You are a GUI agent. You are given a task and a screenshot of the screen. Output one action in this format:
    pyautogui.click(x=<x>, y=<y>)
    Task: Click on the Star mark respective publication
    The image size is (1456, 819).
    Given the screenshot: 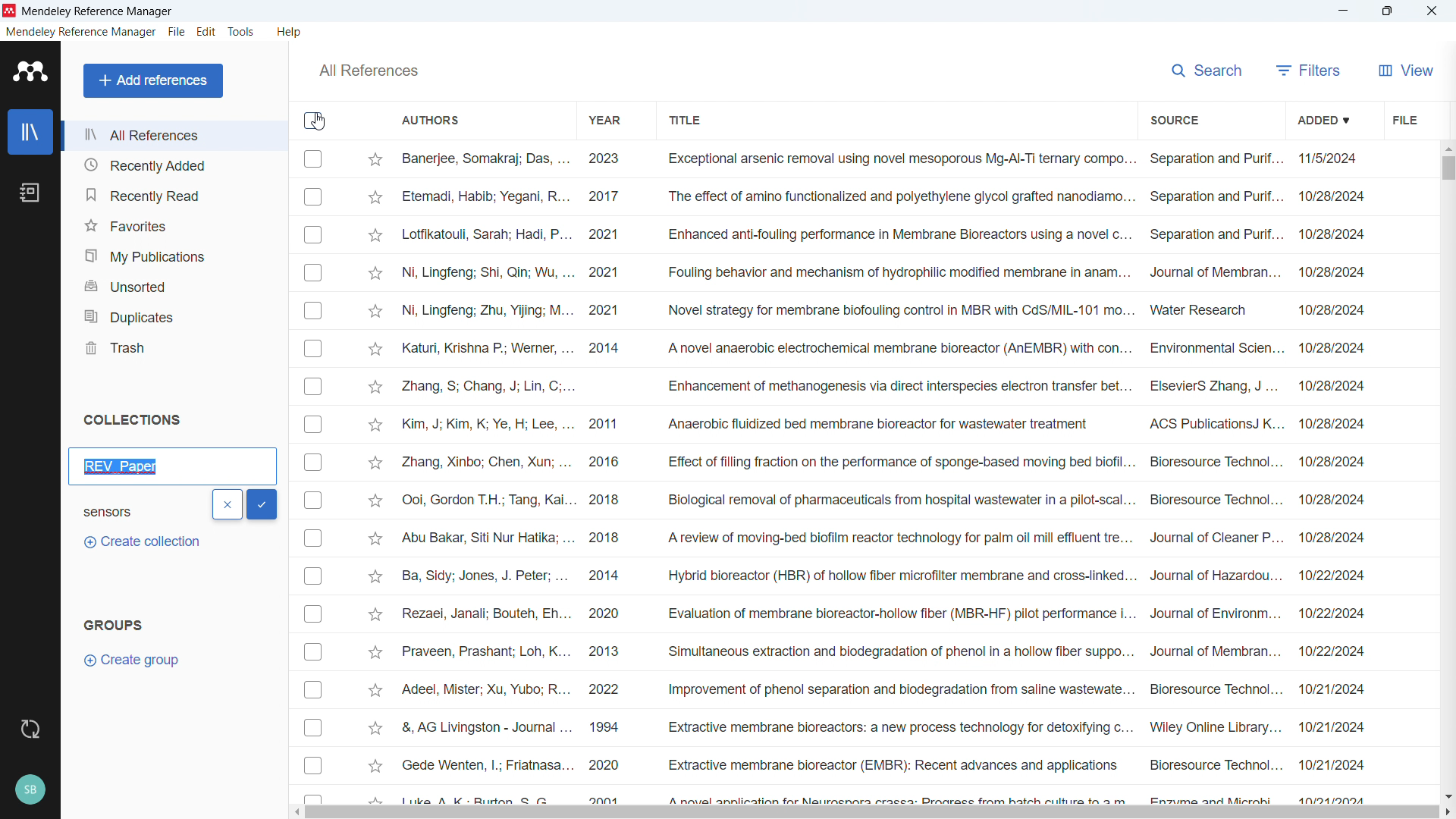 What is the action you would take?
    pyautogui.click(x=376, y=615)
    